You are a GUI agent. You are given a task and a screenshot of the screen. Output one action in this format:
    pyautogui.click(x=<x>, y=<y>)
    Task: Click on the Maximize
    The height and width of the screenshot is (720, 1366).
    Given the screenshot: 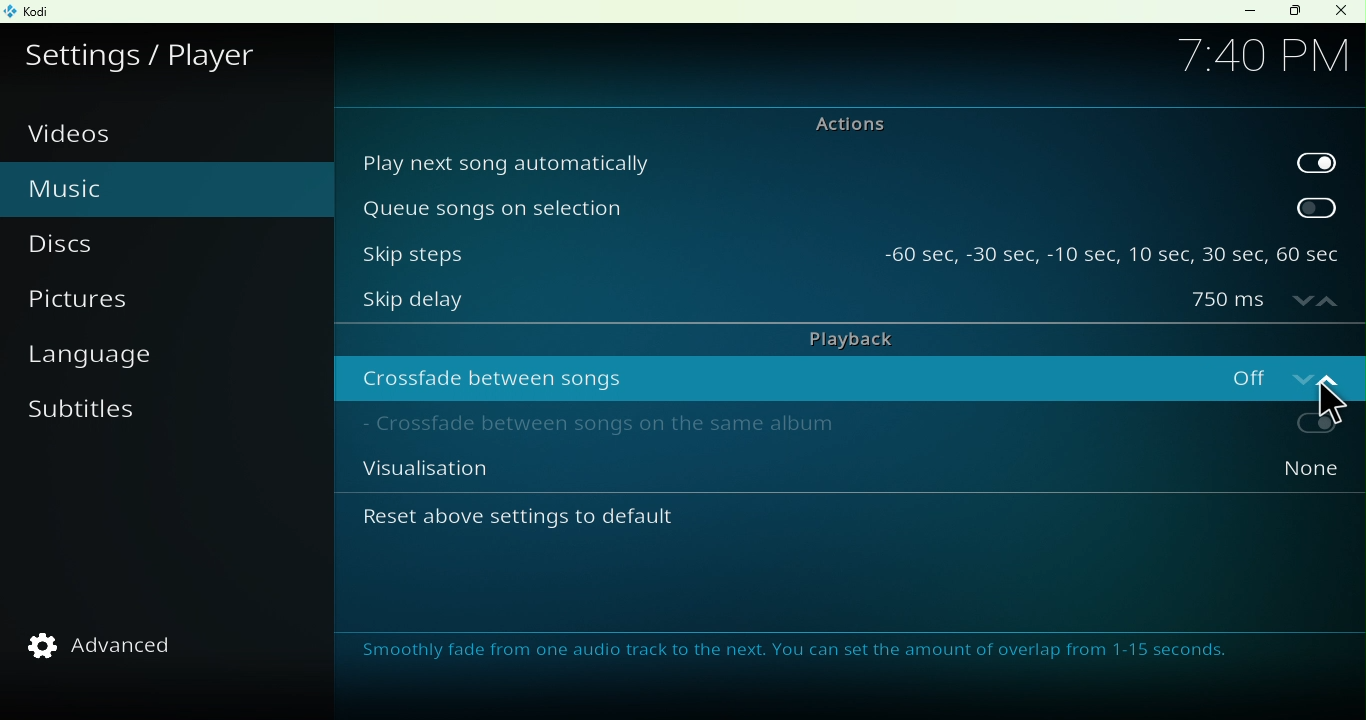 What is the action you would take?
    pyautogui.click(x=1294, y=12)
    